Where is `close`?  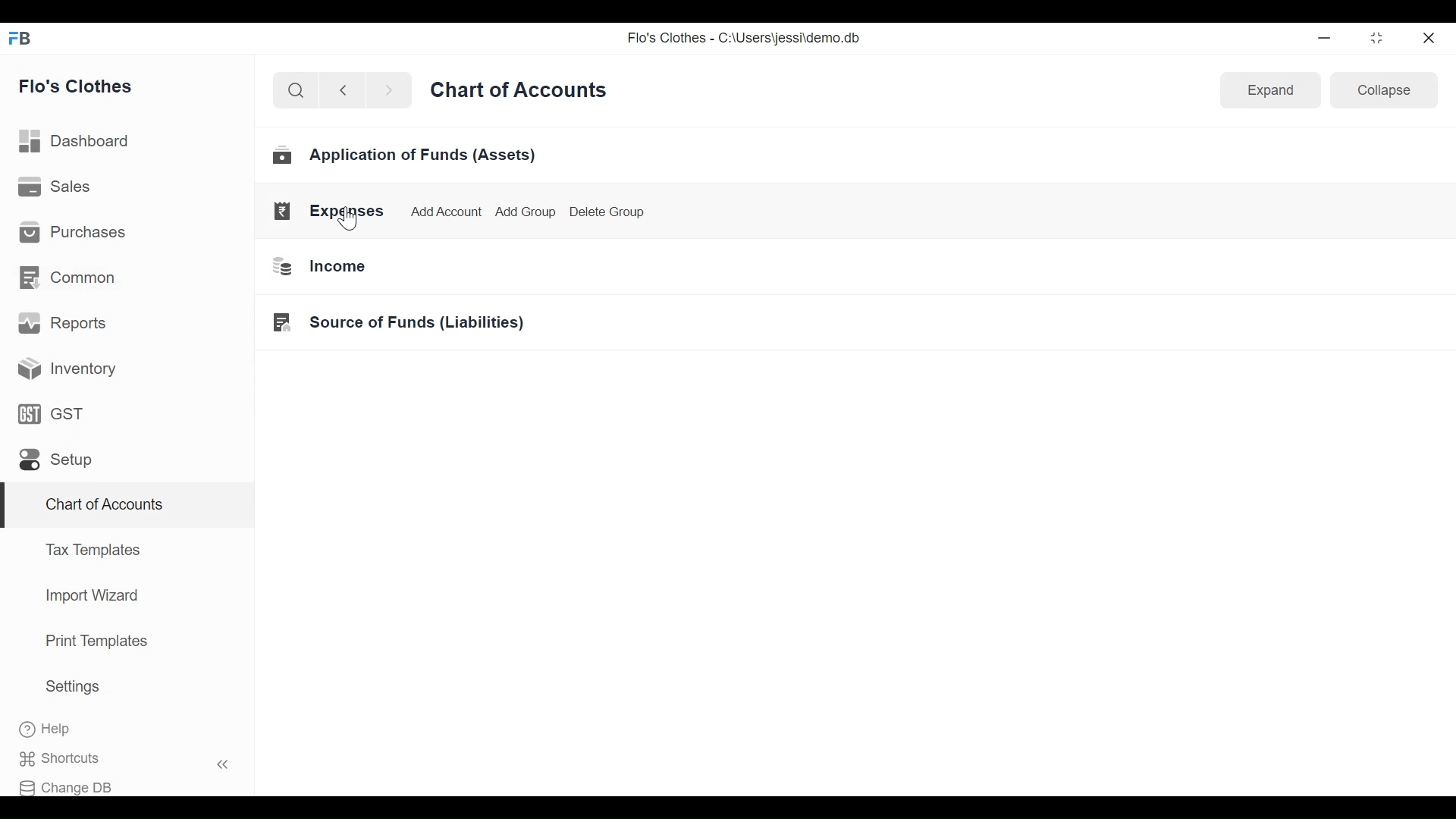
close is located at coordinates (1430, 36).